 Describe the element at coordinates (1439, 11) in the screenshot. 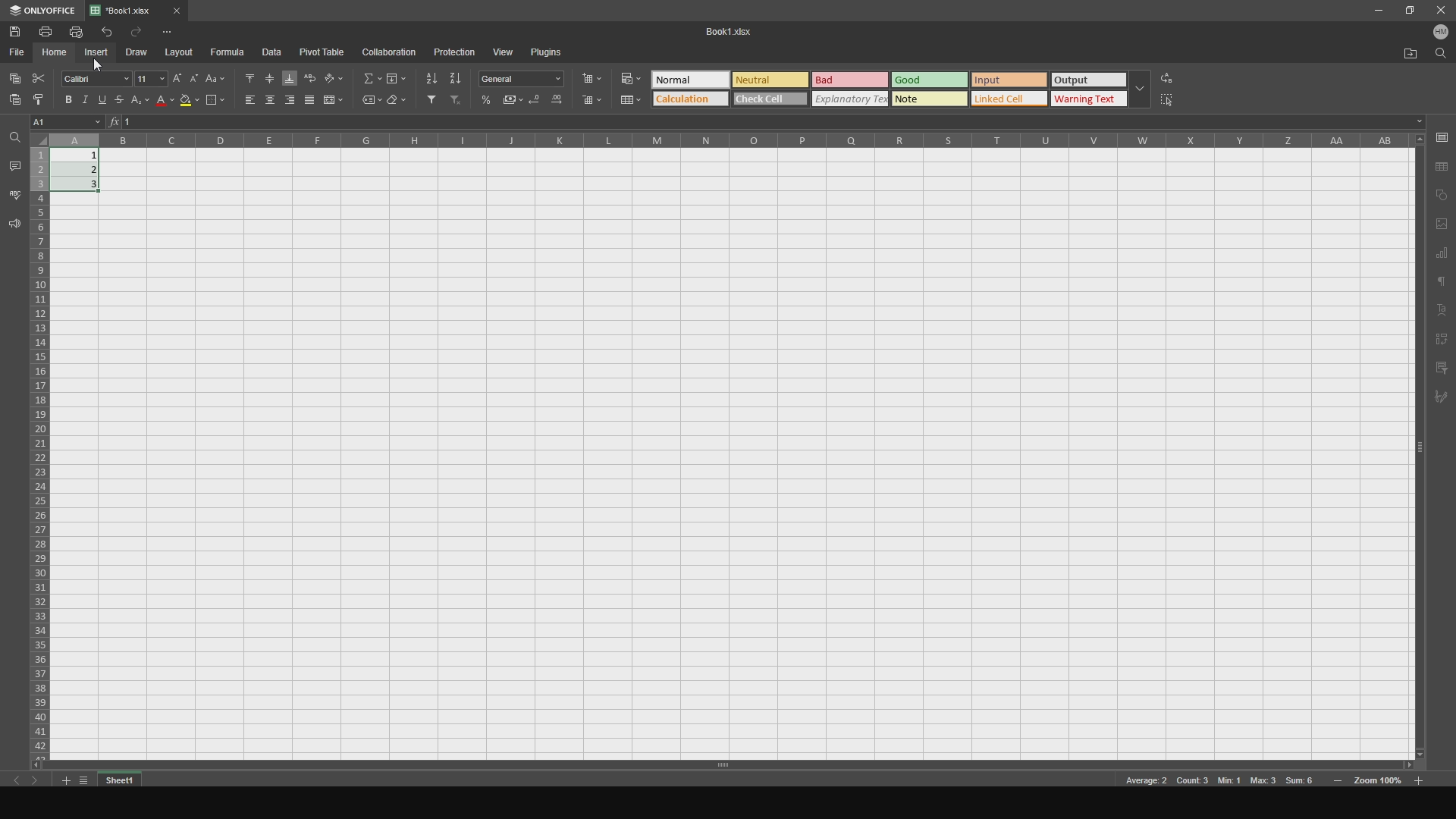

I see `close` at that location.